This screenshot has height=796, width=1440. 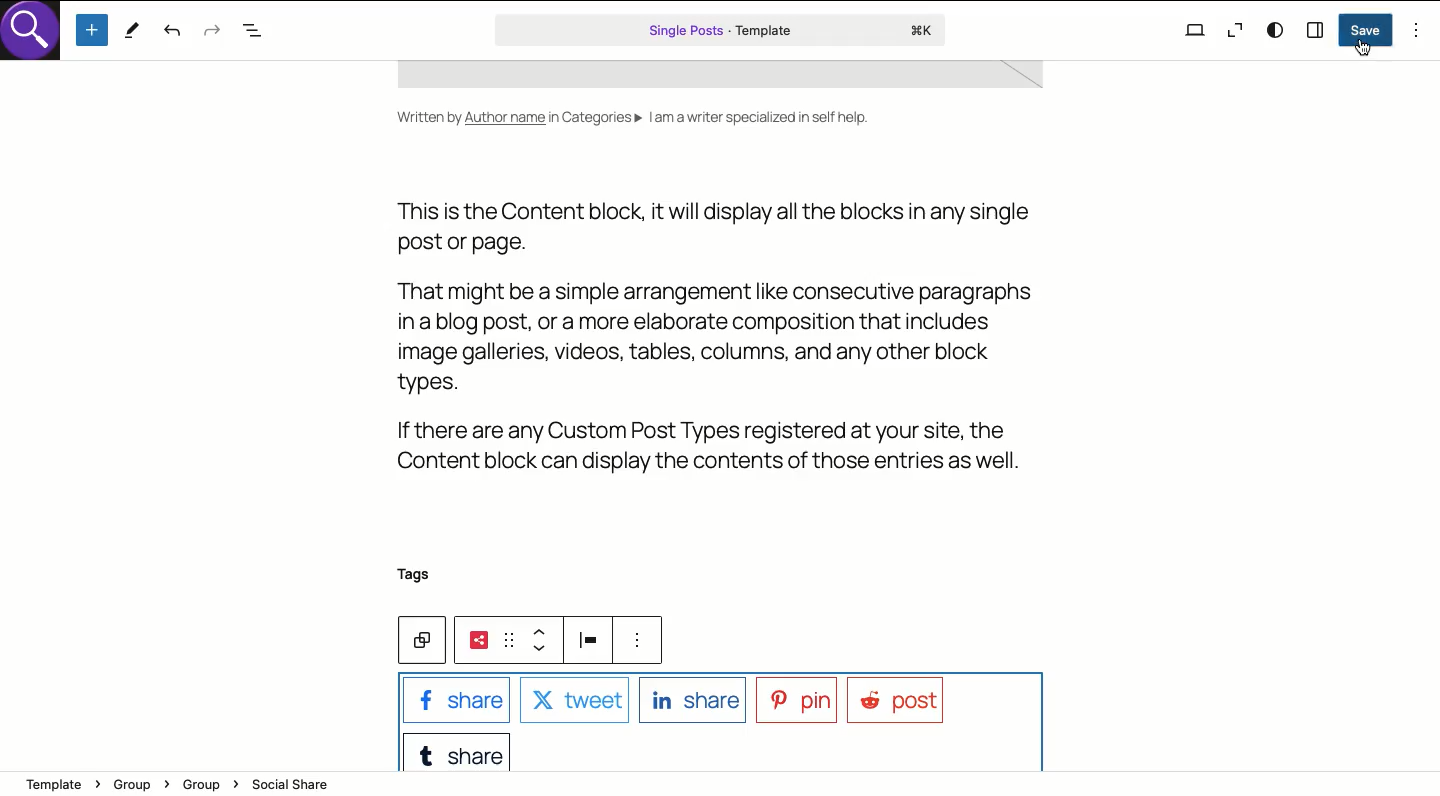 I want to click on Written by Author name in Categories» Iam a writer specialized in self help., so click(x=631, y=129).